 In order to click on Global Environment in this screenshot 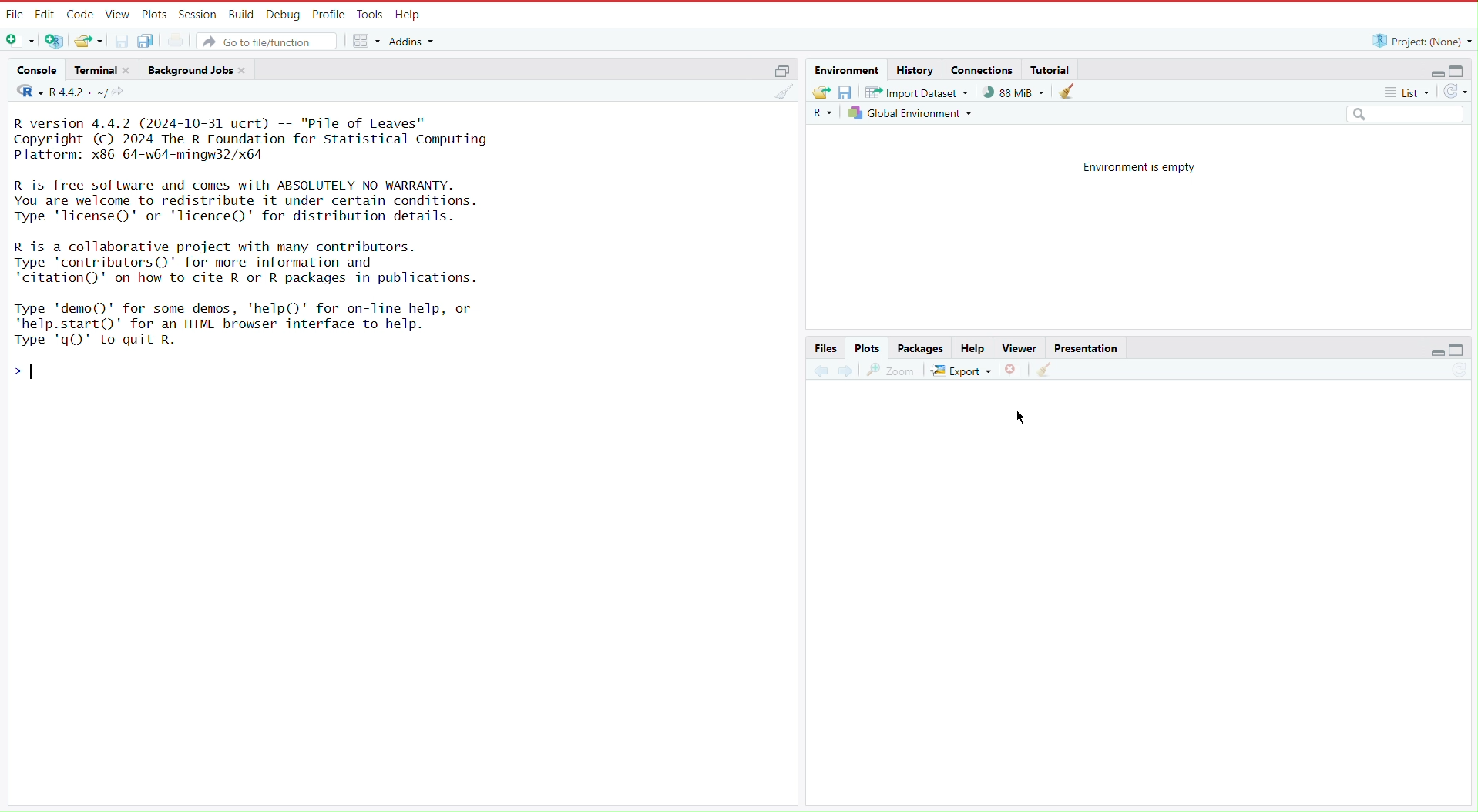, I will do `click(912, 112)`.